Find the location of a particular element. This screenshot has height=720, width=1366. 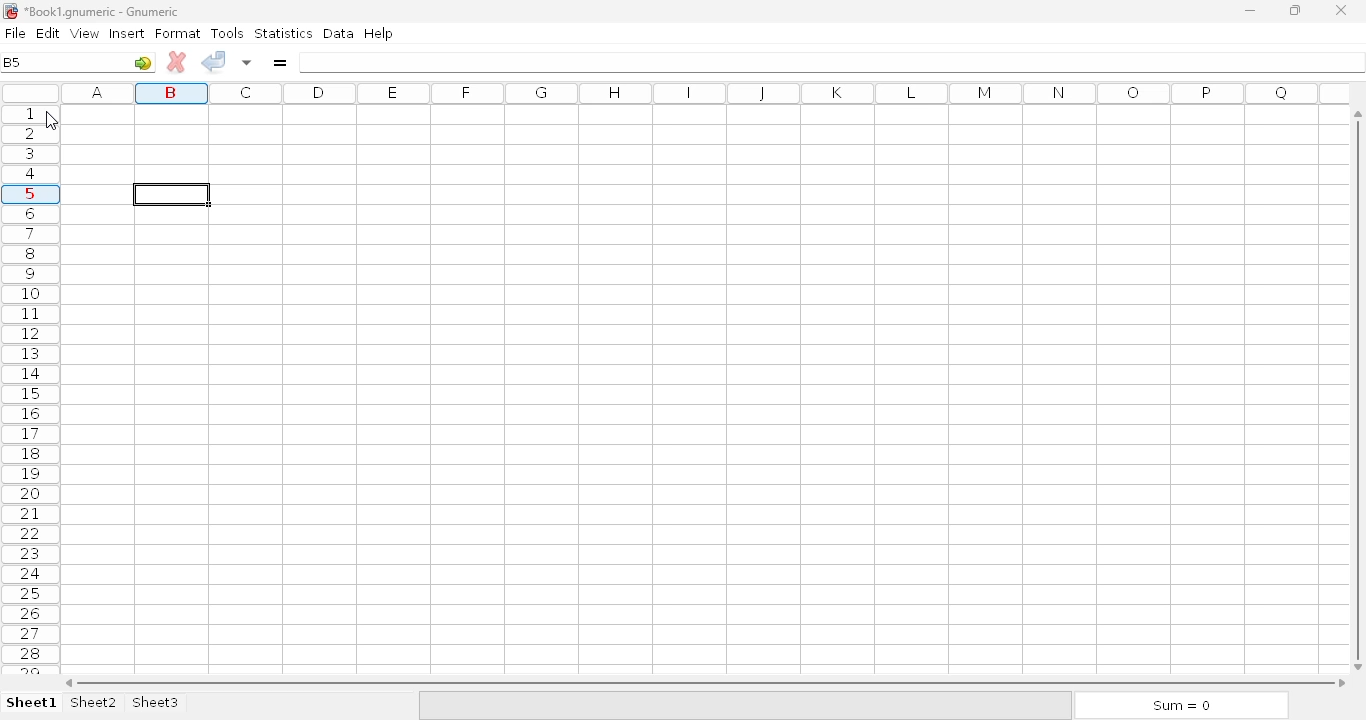

close is located at coordinates (1340, 11).